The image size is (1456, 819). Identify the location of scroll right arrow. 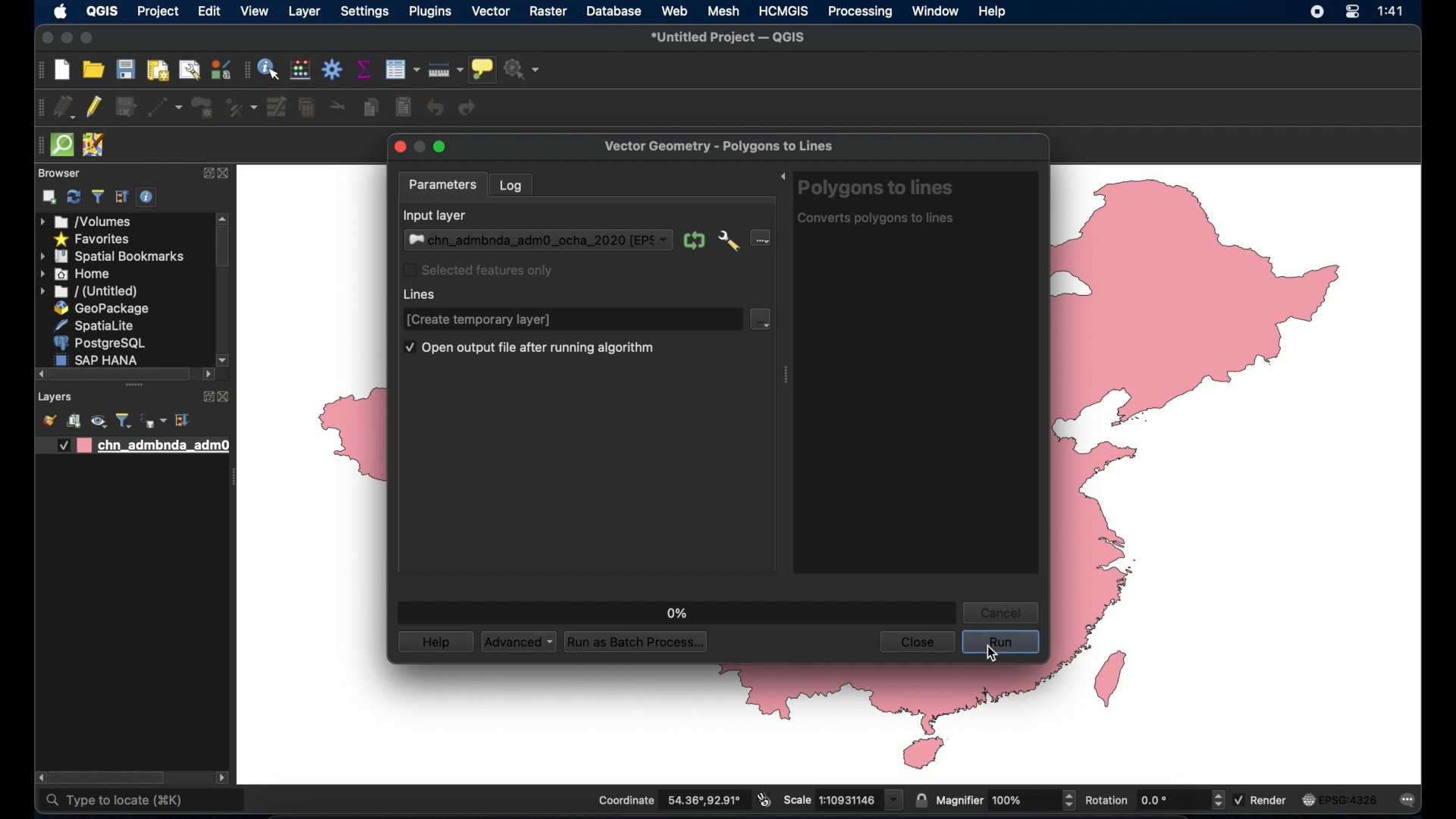
(37, 777).